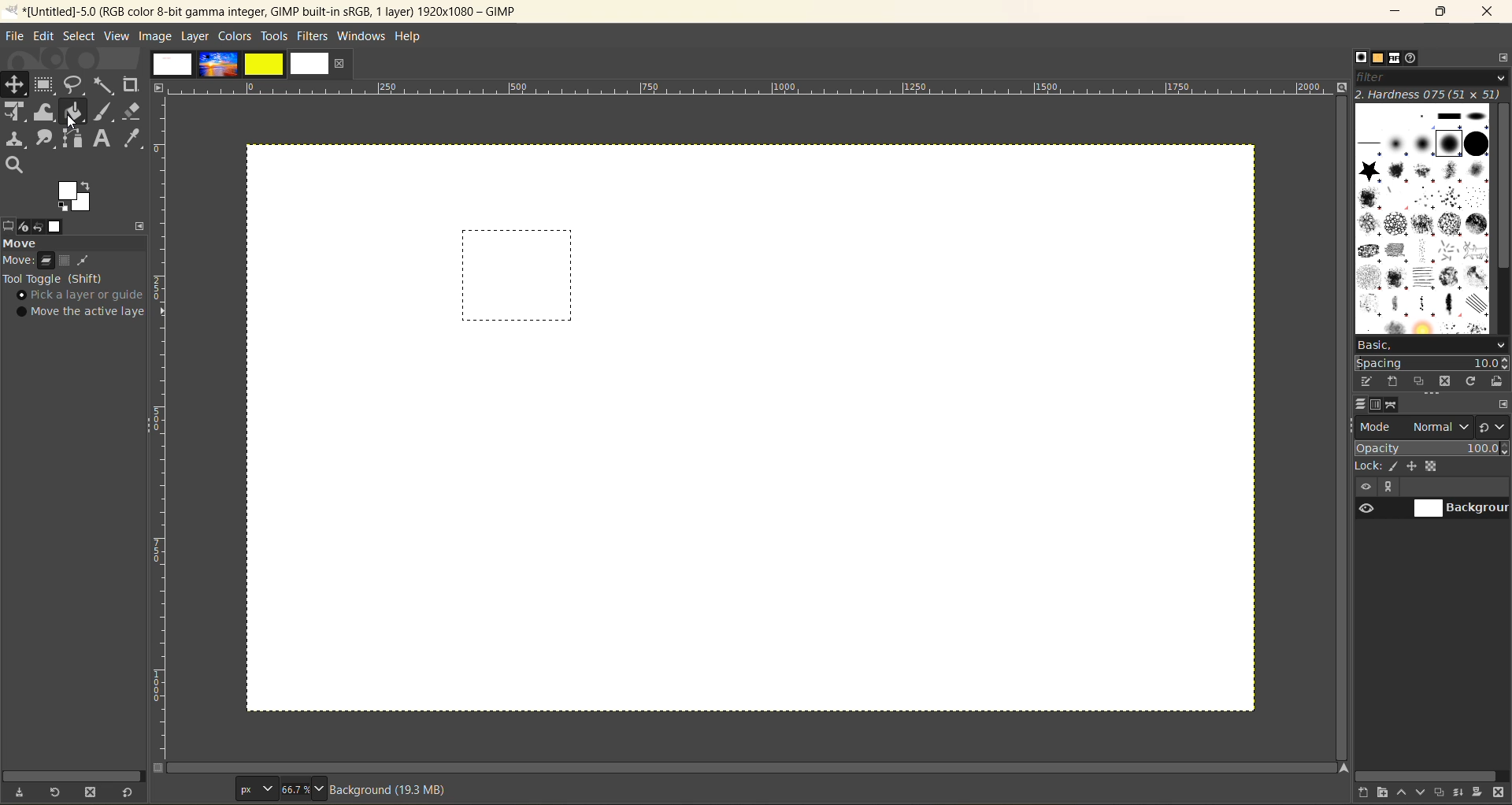  I want to click on lock pixel, position, alpha, so click(1432, 468).